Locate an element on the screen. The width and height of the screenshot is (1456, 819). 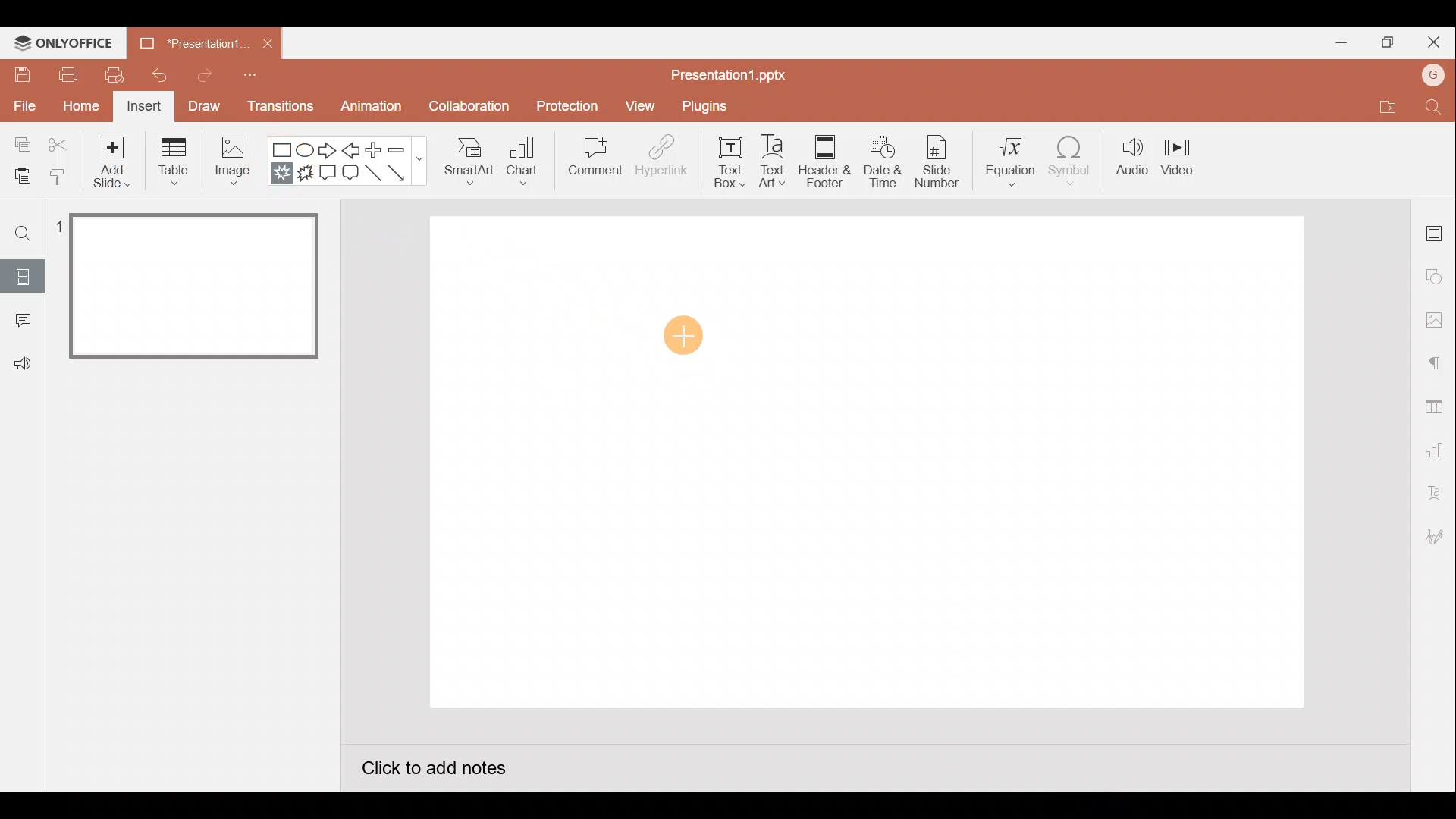
Signature settings is located at coordinates (1437, 535).